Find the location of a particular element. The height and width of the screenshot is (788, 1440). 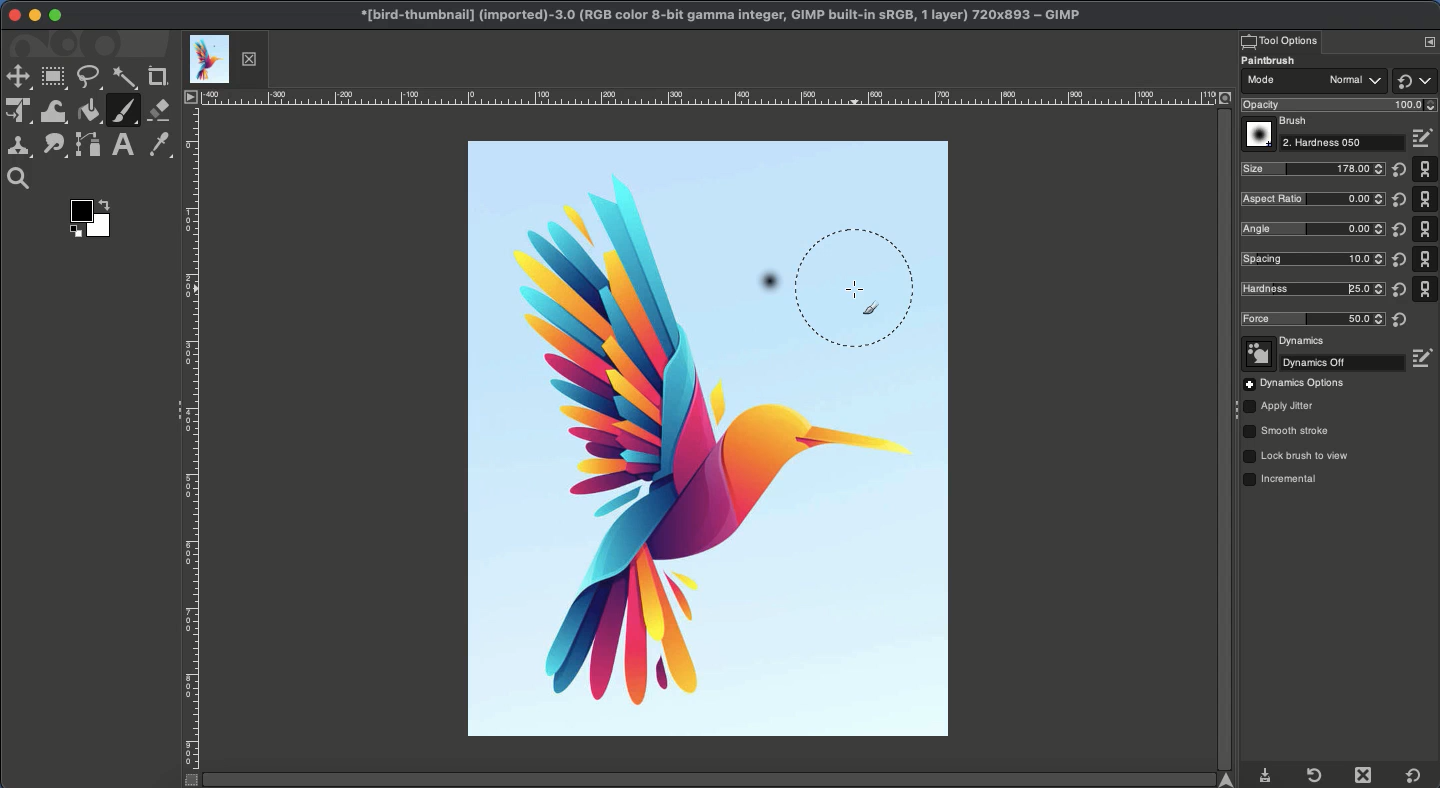

image is located at coordinates (600, 285).